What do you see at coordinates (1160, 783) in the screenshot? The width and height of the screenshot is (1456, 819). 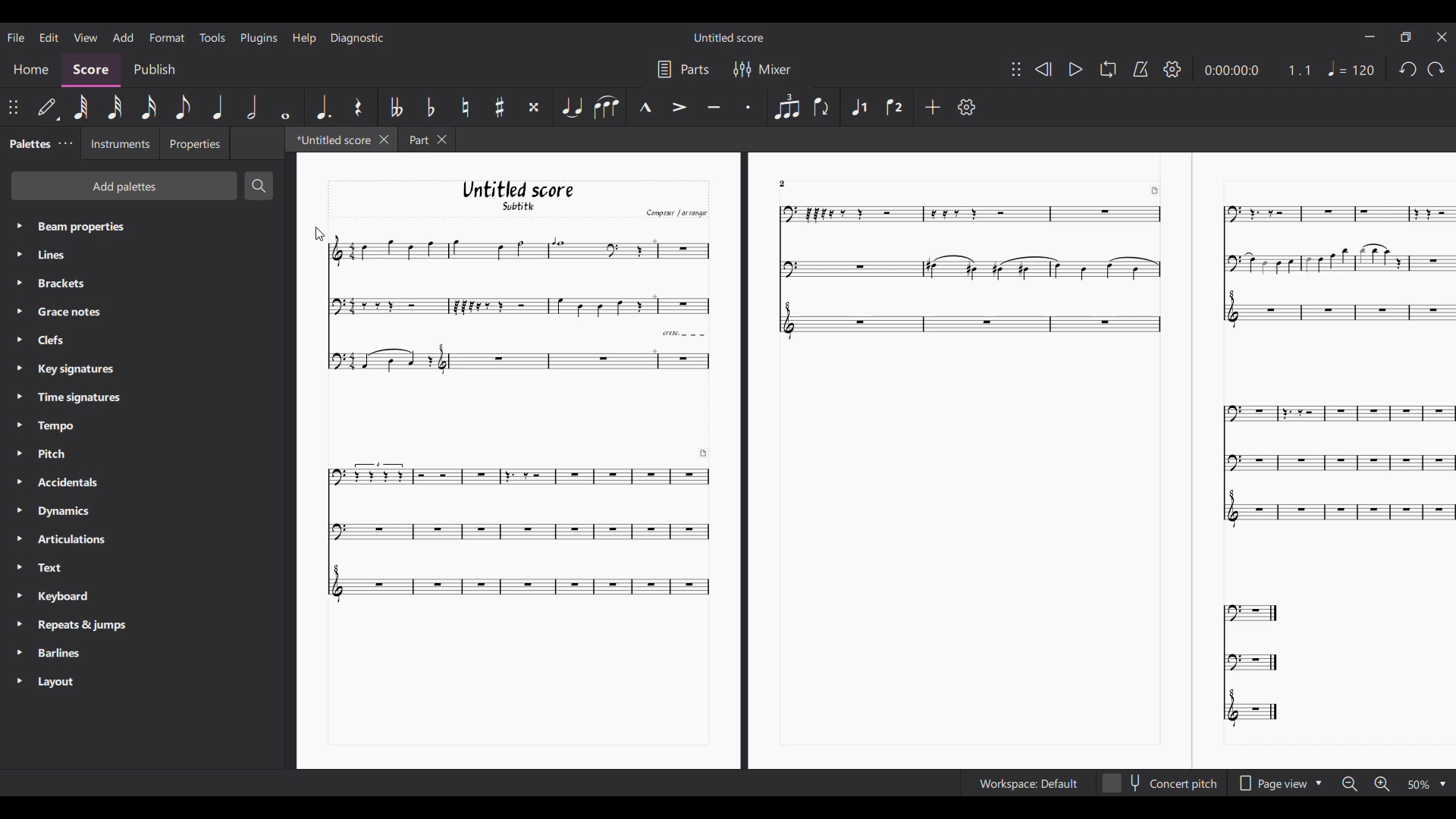 I see `Concert pitch toggle` at bounding box center [1160, 783].